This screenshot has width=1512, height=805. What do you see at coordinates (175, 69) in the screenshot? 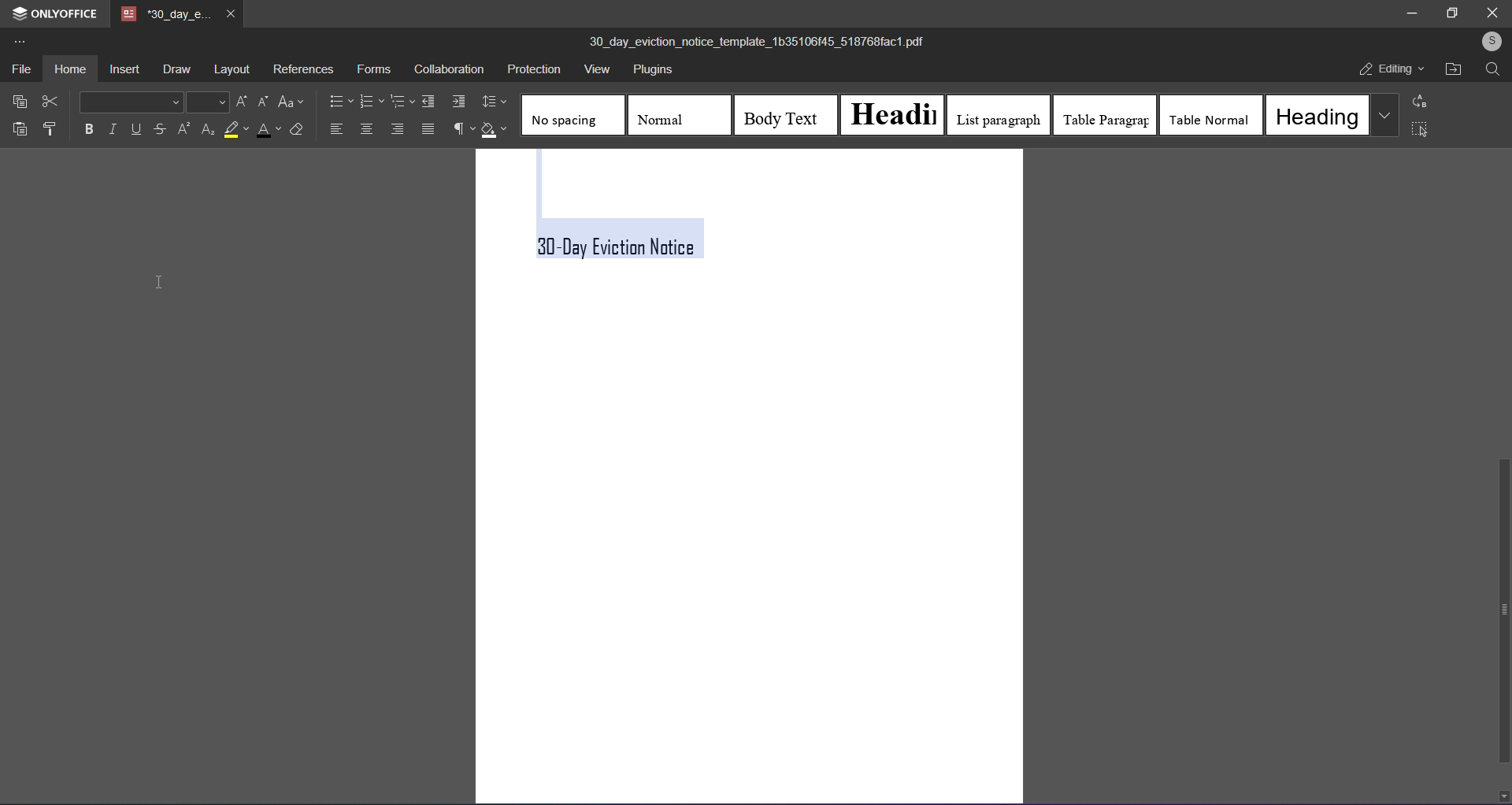
I see `draw` at bounding box center [175, 69].